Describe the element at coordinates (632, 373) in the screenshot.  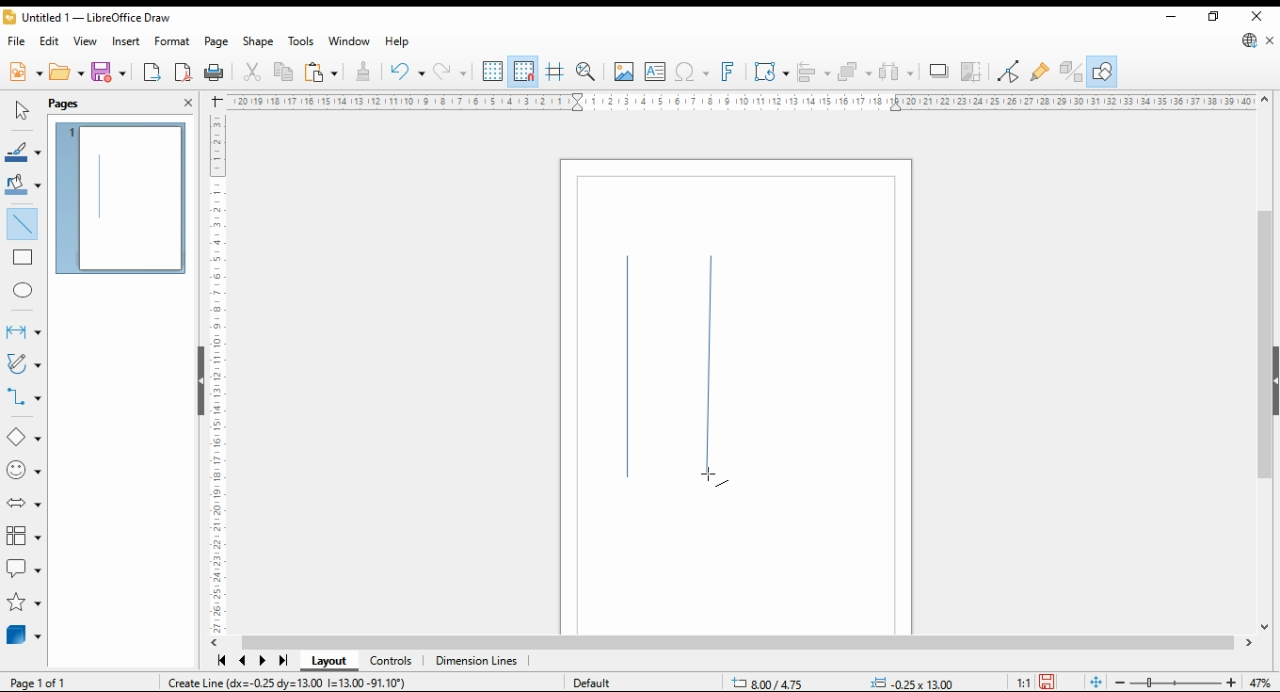
I see `new shape - line` at that location.